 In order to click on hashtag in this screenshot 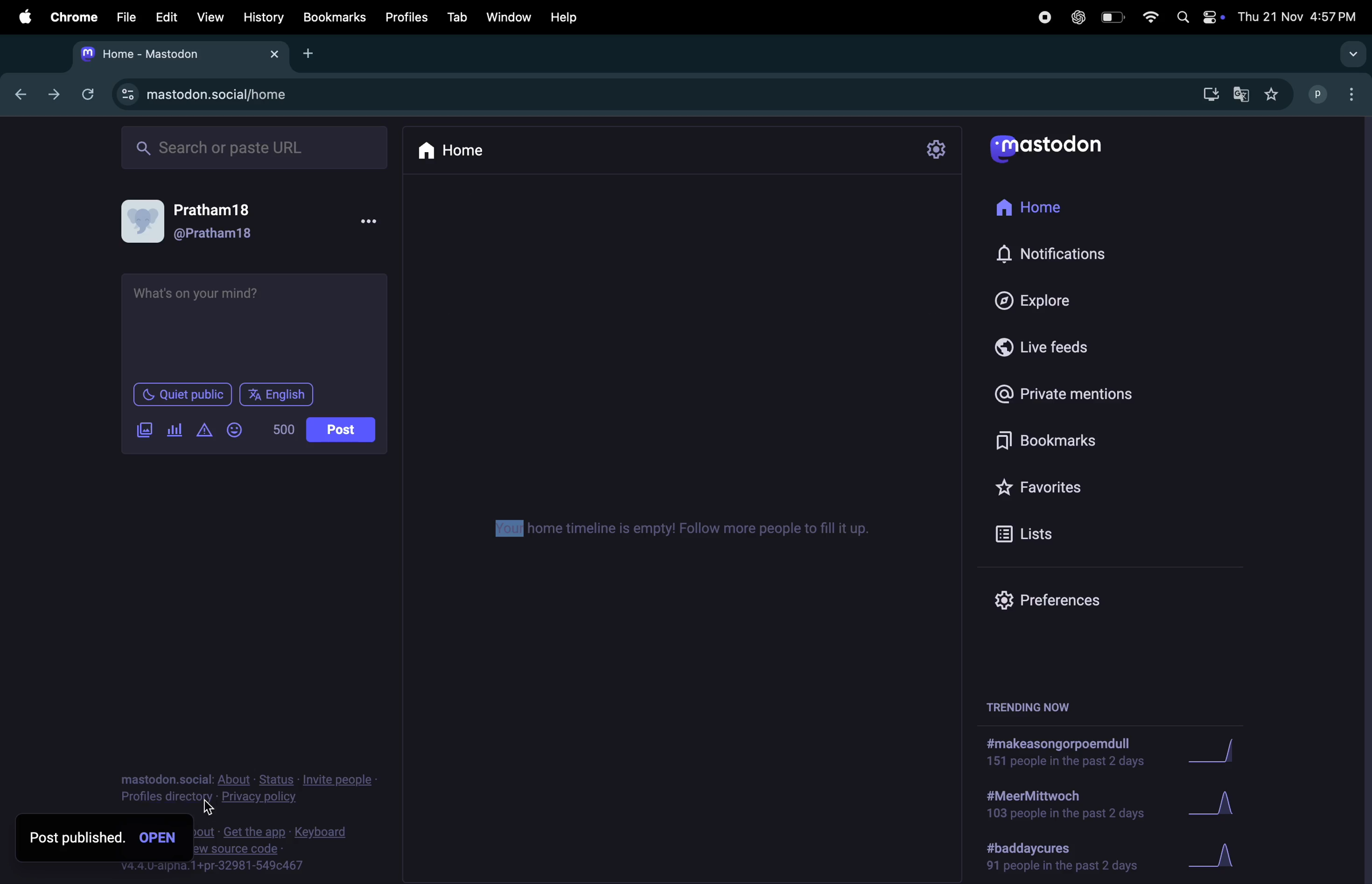, I will do `click(1057, 807)`.